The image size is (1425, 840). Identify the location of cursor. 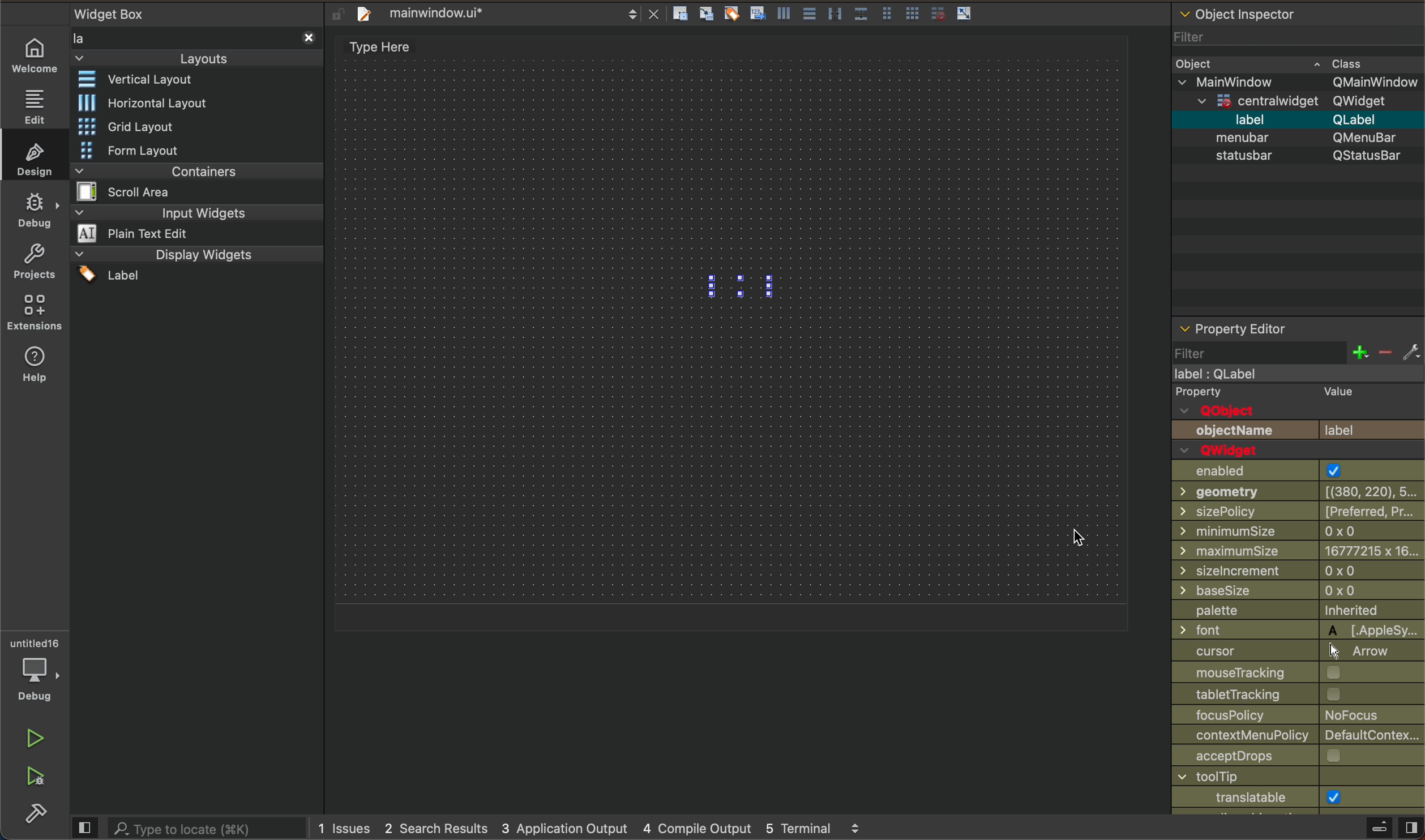
(1284, 652).